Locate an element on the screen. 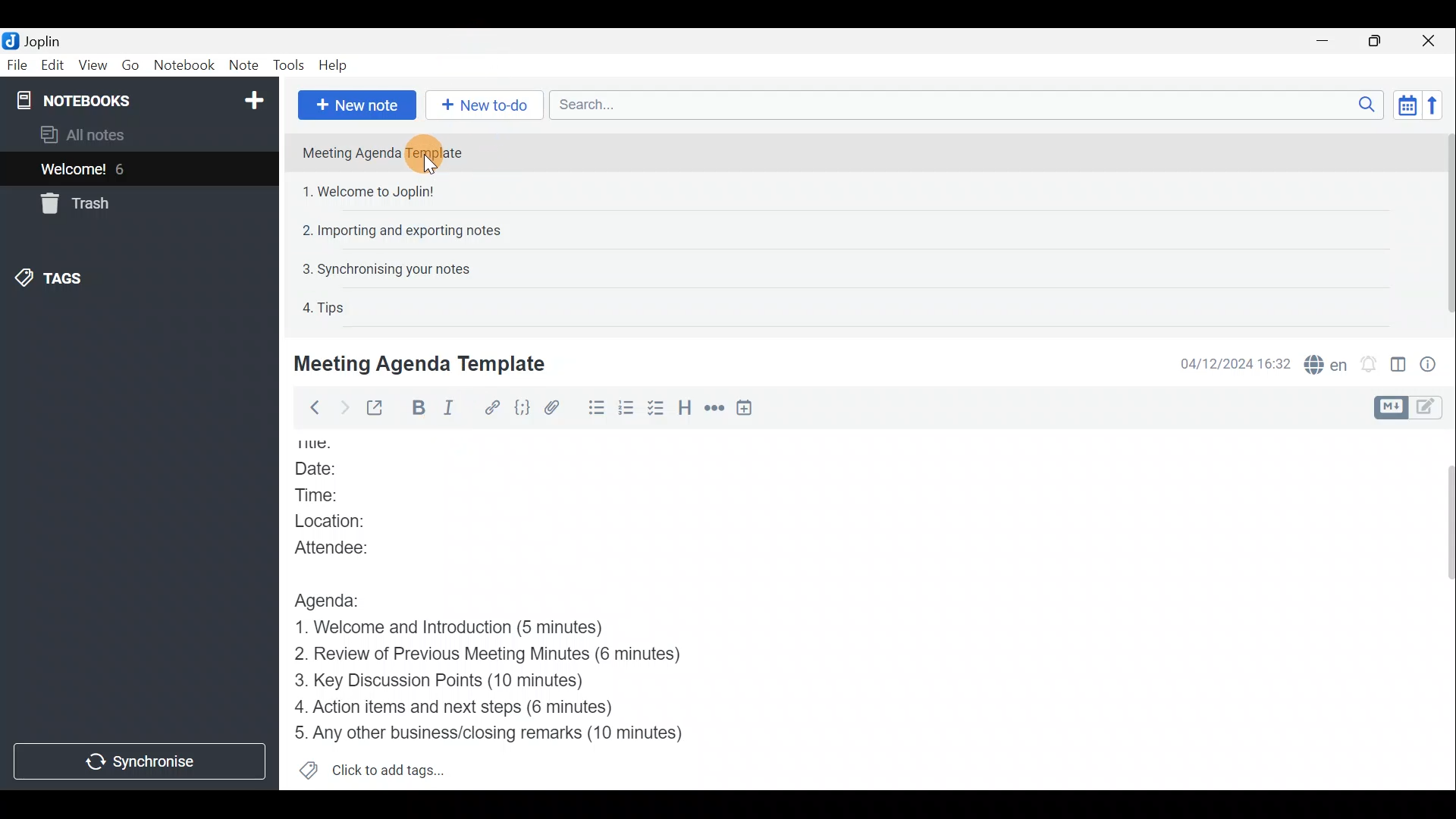  Insert time is located at coordinates (748, 410).